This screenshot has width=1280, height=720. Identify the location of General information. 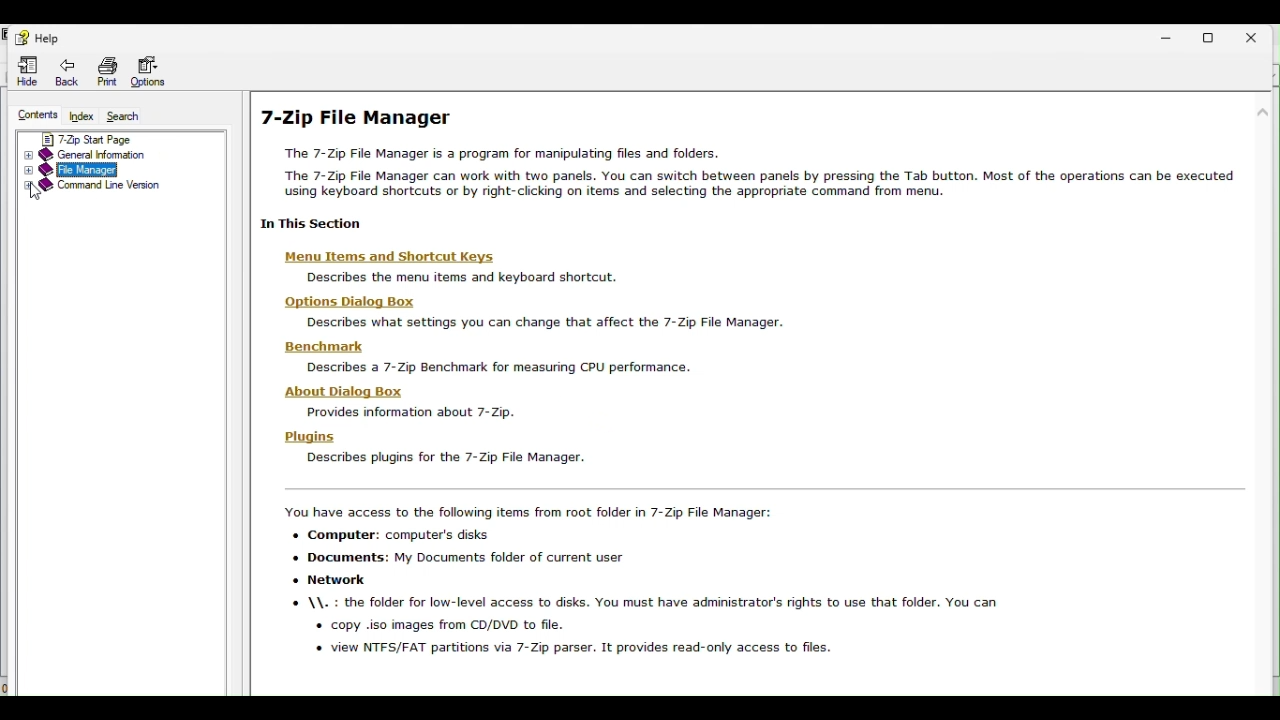
(122, 154).